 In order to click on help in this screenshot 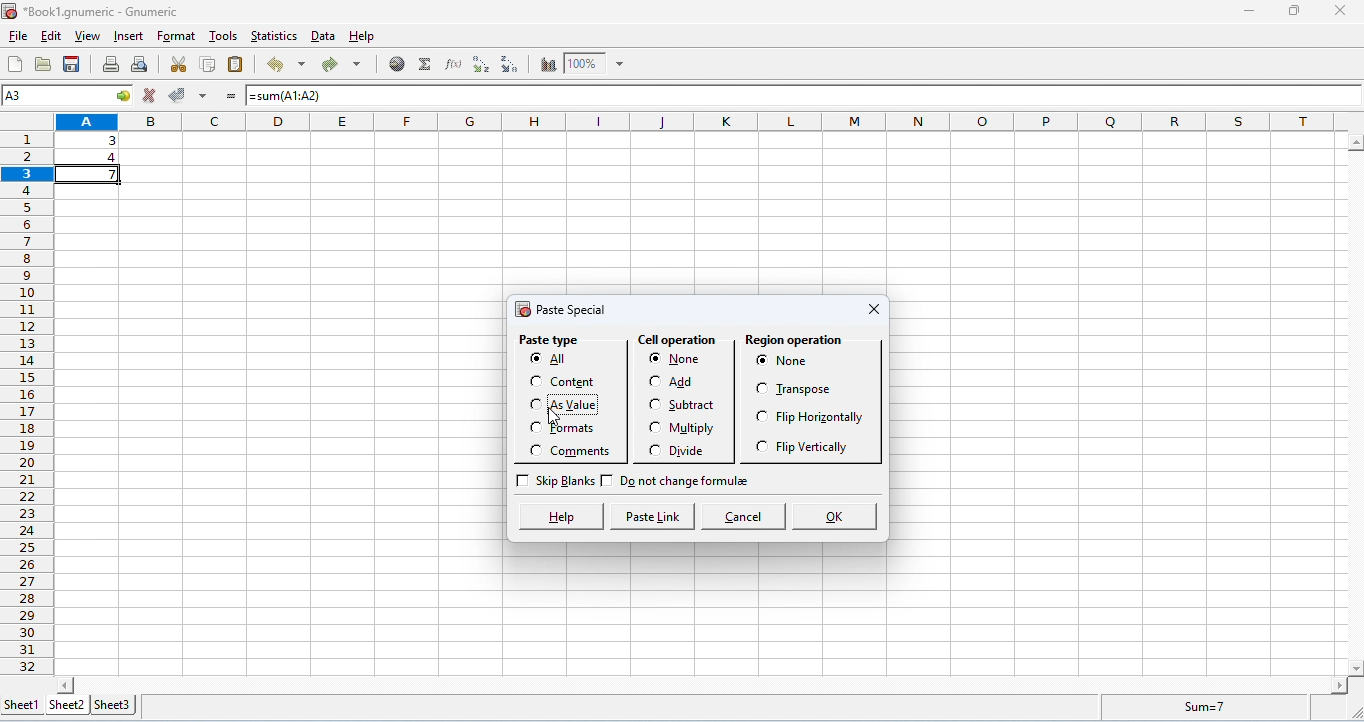, I will do `click(363, 37)`.